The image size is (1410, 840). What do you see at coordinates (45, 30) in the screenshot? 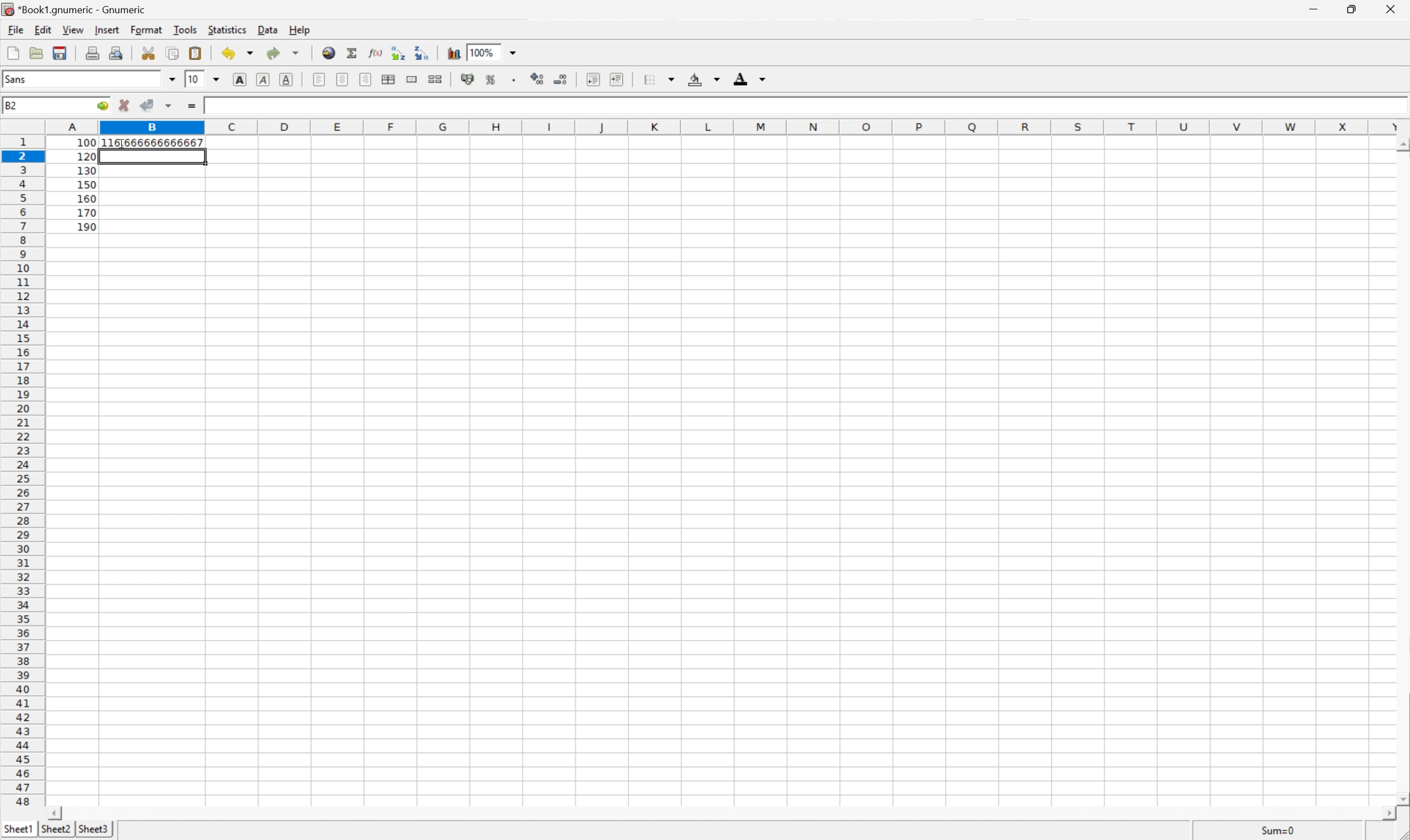
I see `Edit` at bounding box center [45, 30].